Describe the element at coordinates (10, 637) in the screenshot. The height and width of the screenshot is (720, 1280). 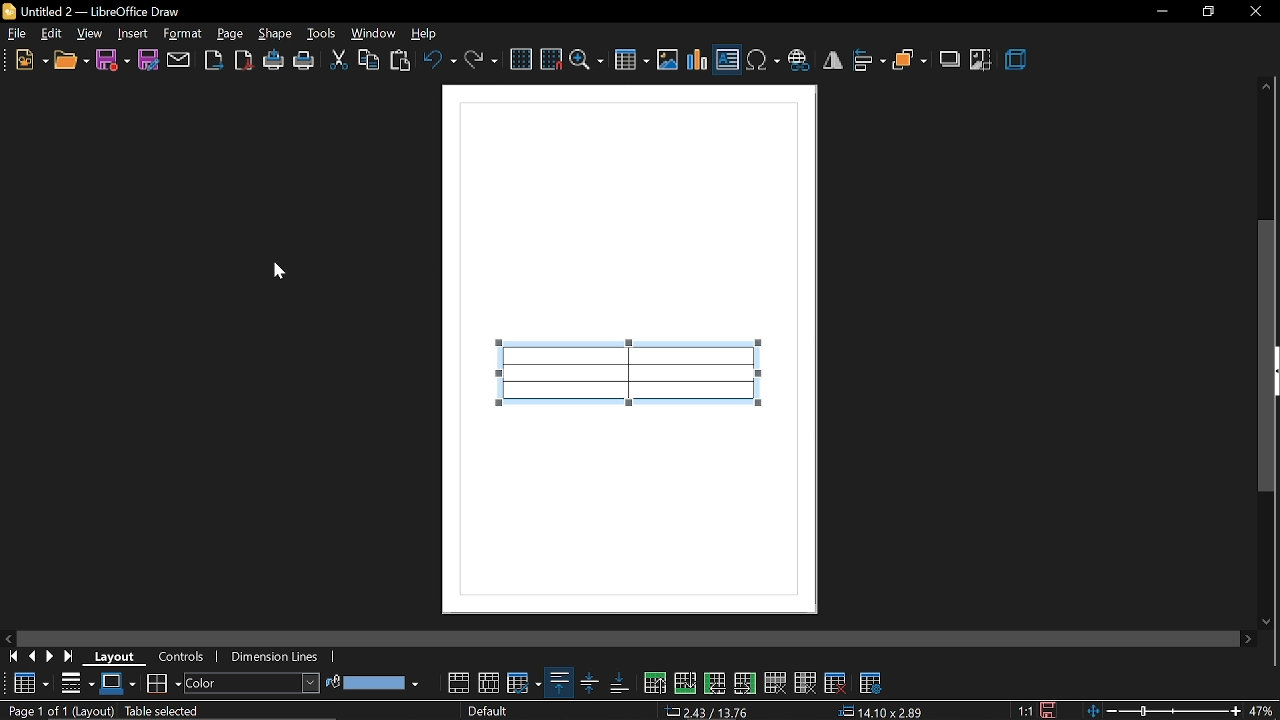
I see `move left` at that location.